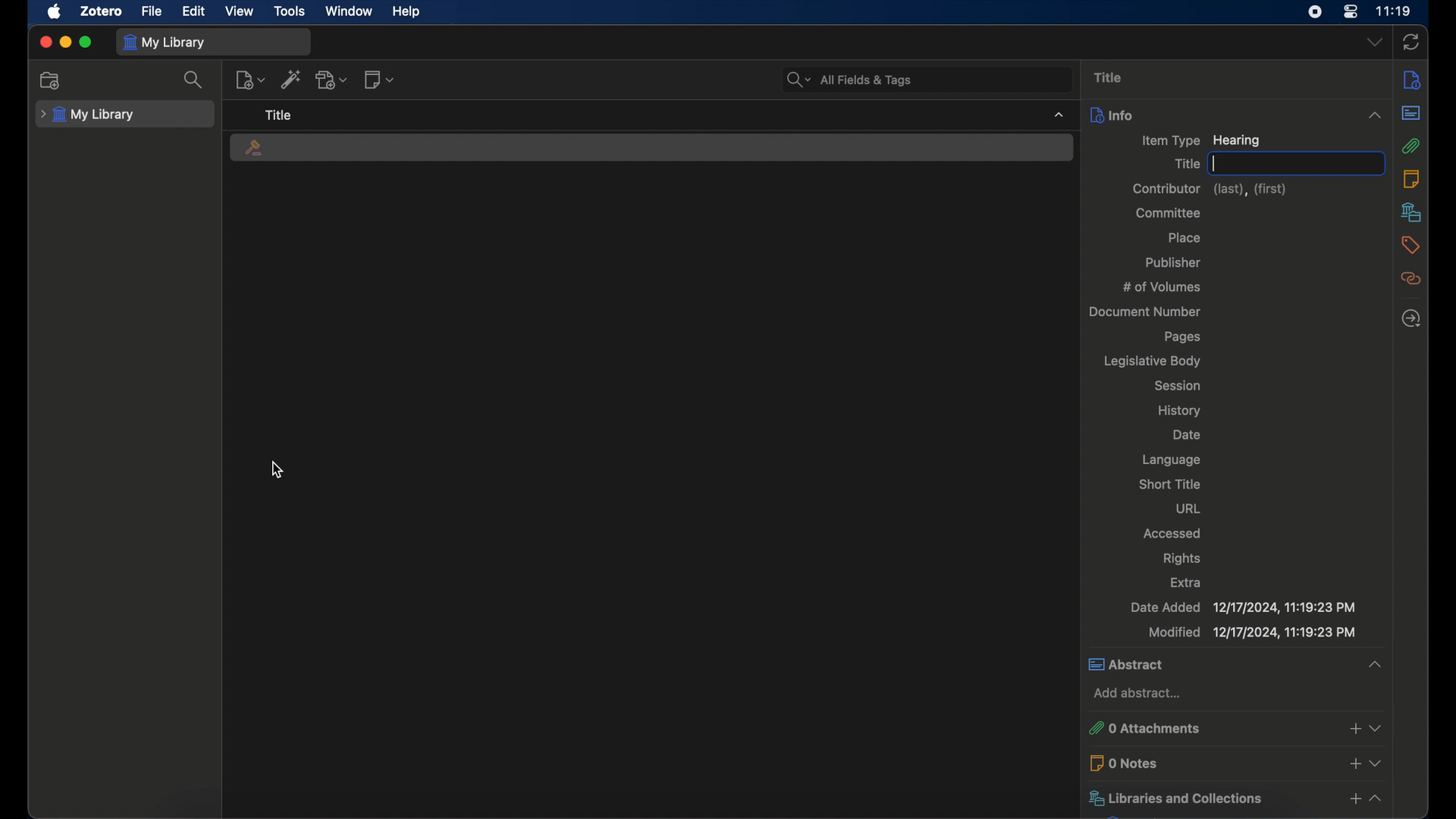  What do you see at coordinates (1057, 114) in the screenshot?
I see `dropdown` at bounding box center [1057, 114].